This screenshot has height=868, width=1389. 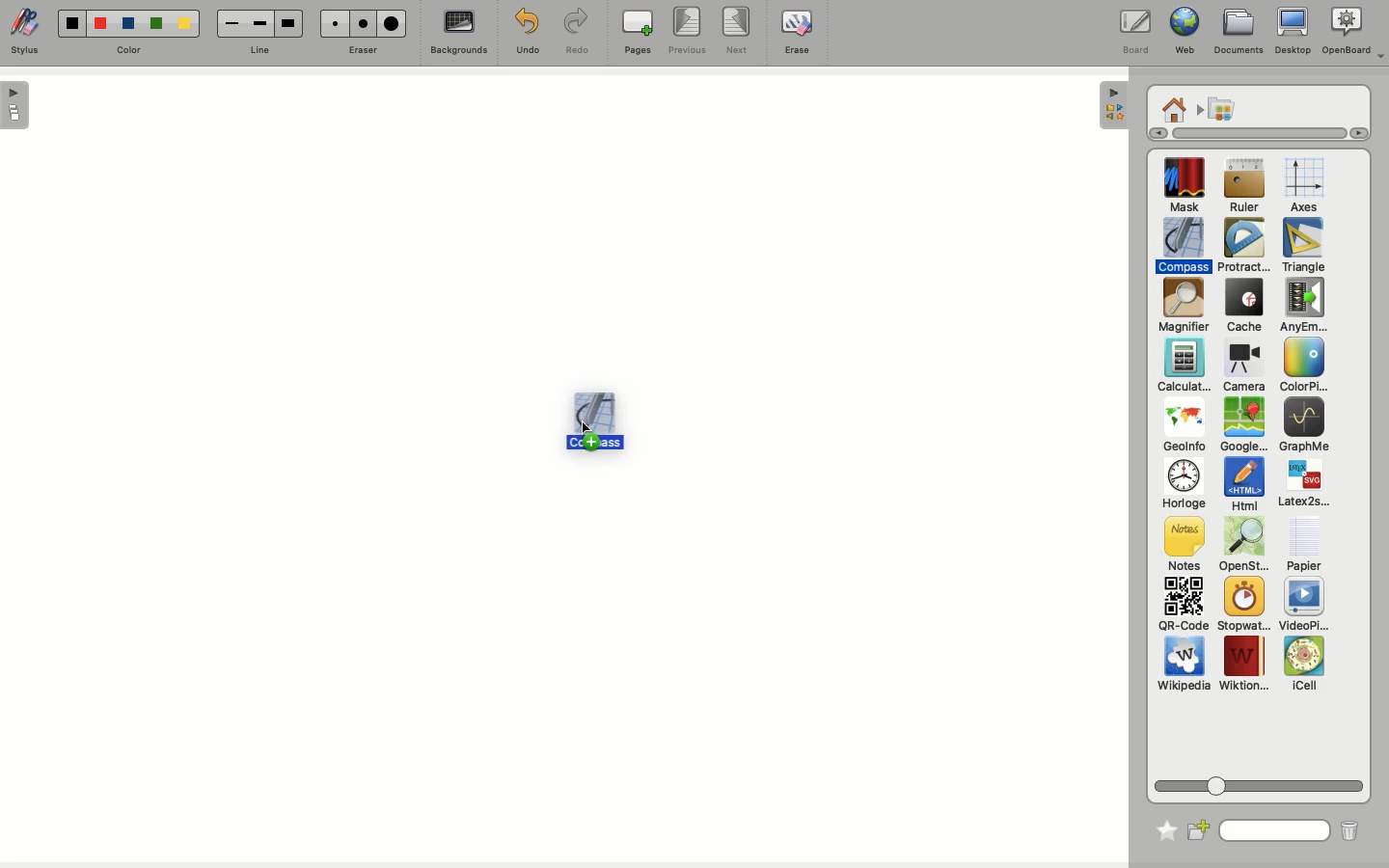 I want to click on line1, so click(x=231, y=22).